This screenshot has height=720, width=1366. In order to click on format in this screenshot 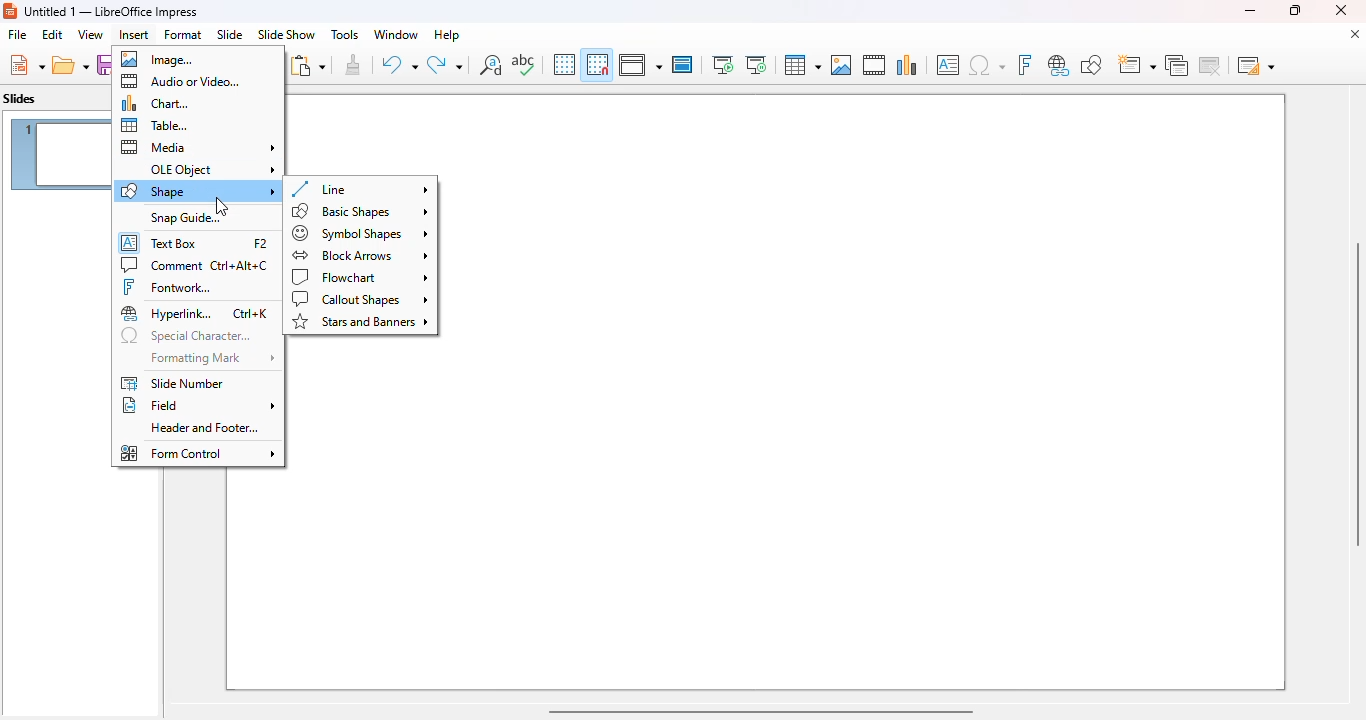, I will do `click(183, 34)`.